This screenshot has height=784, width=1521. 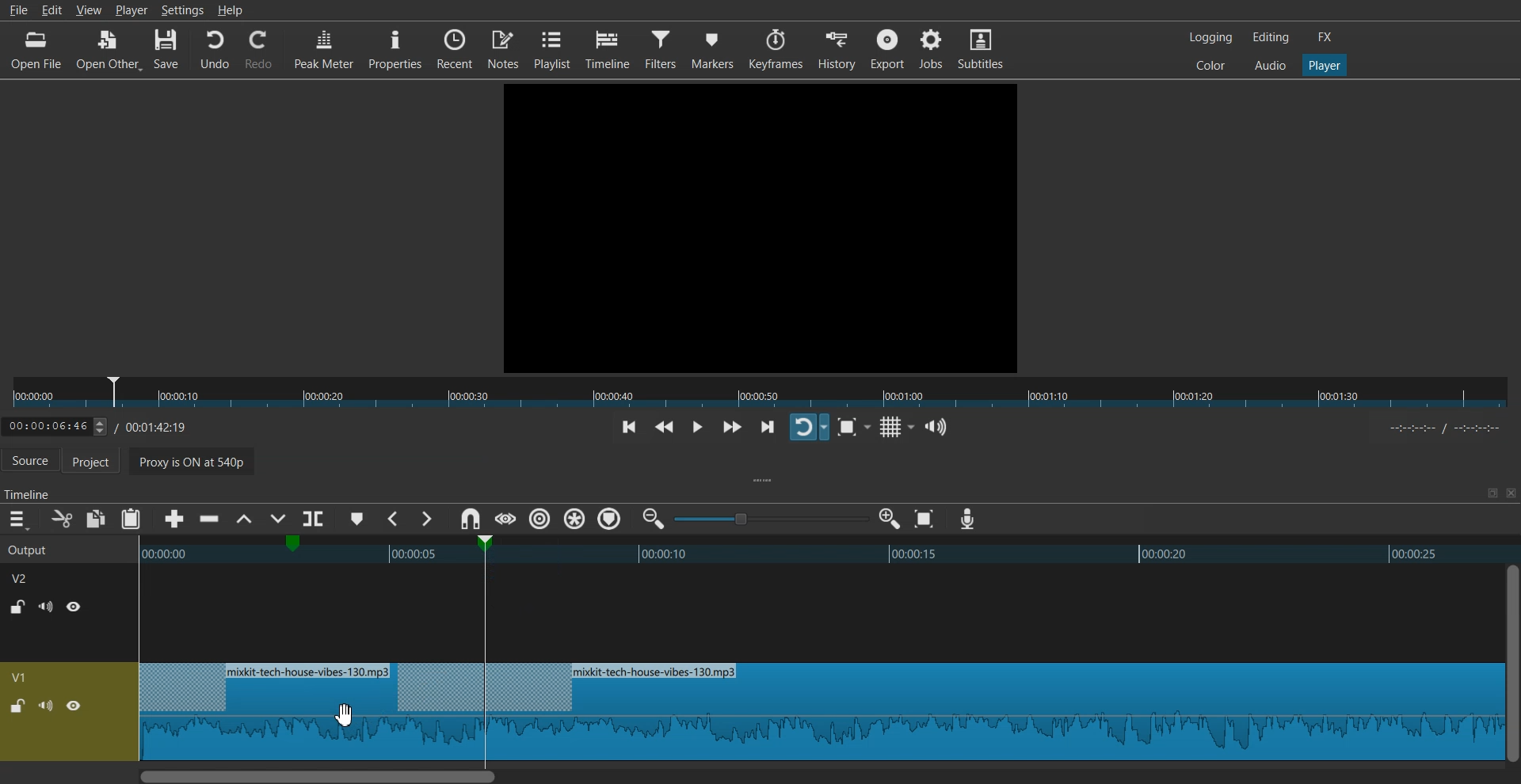 I want to click on V2, so click(x=28, y=577).